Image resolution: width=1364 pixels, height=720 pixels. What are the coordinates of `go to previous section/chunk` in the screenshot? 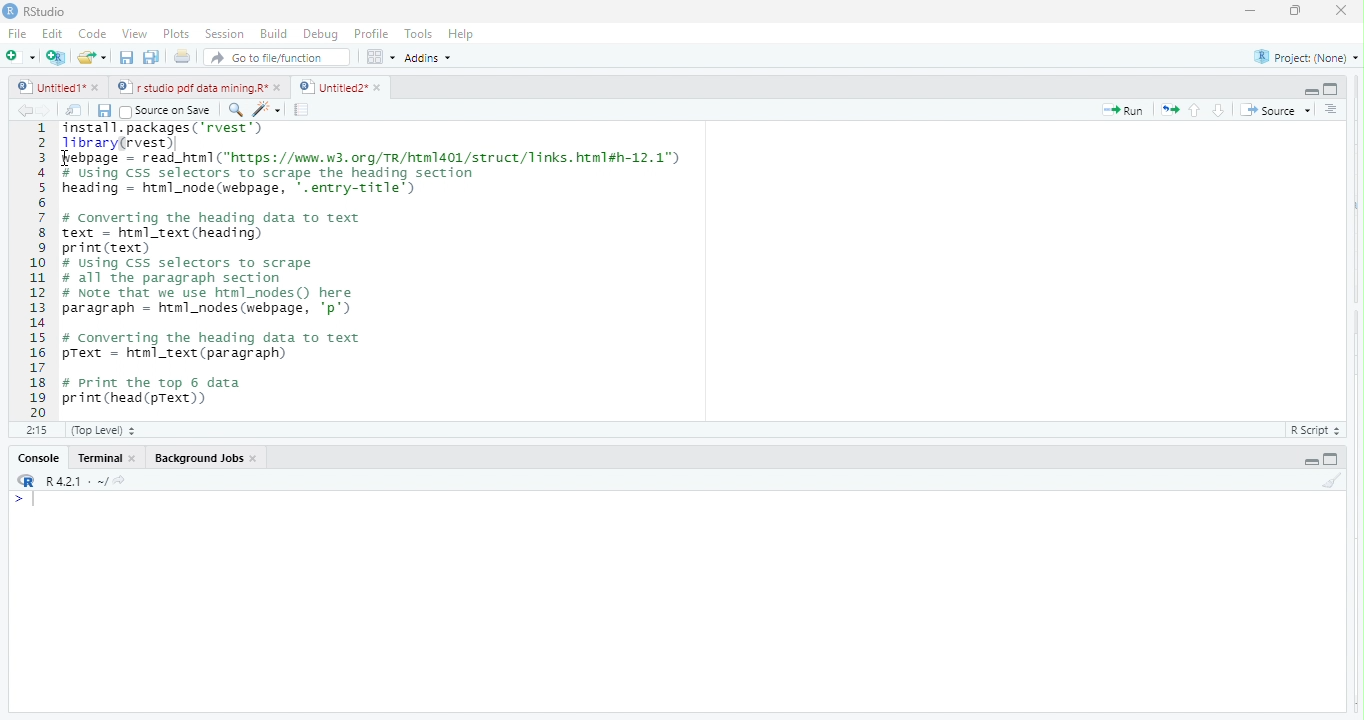 It's located at (1196, 111).